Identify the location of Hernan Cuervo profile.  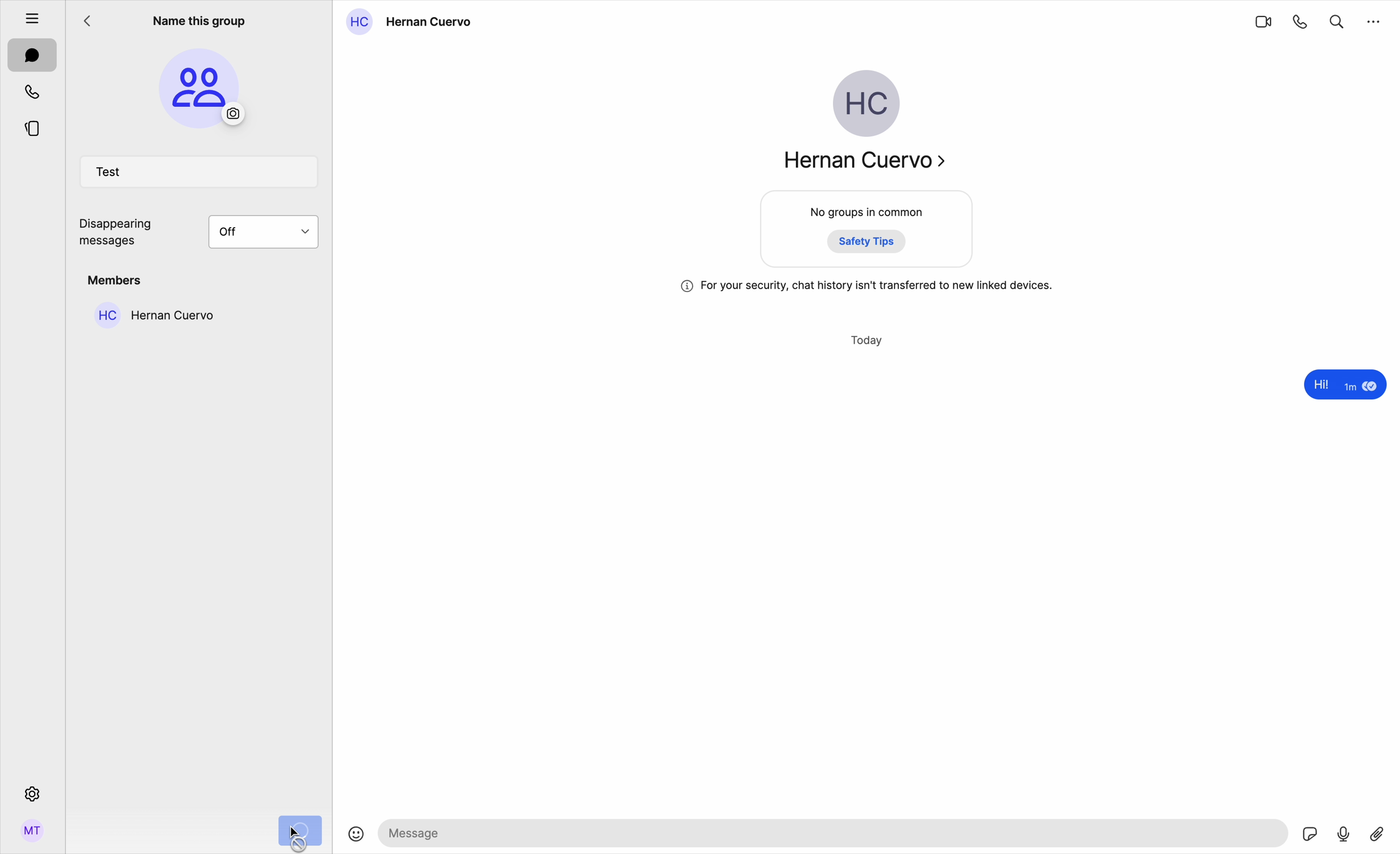
(862, 126).